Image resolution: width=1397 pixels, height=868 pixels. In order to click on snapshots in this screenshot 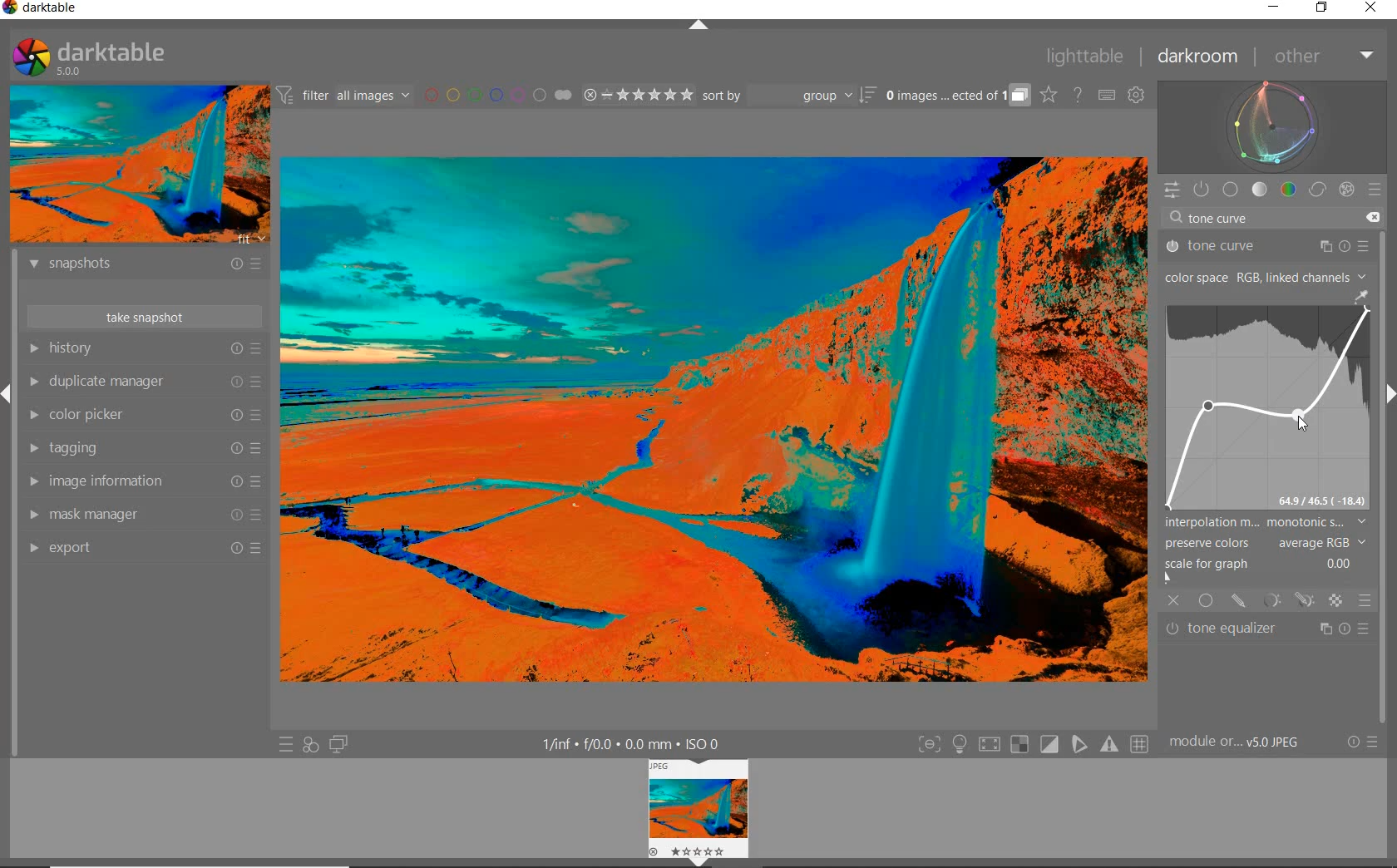, I will do `click(149, 266)`.